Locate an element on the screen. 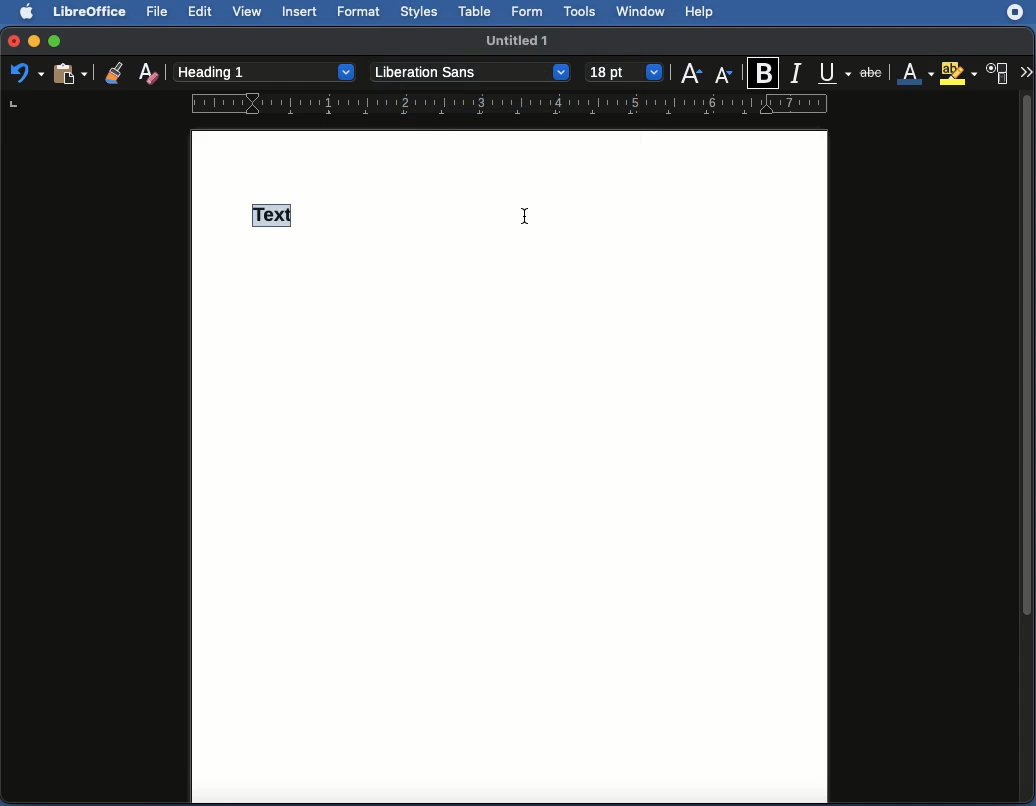  Tools is located at coordinates (580, 13).